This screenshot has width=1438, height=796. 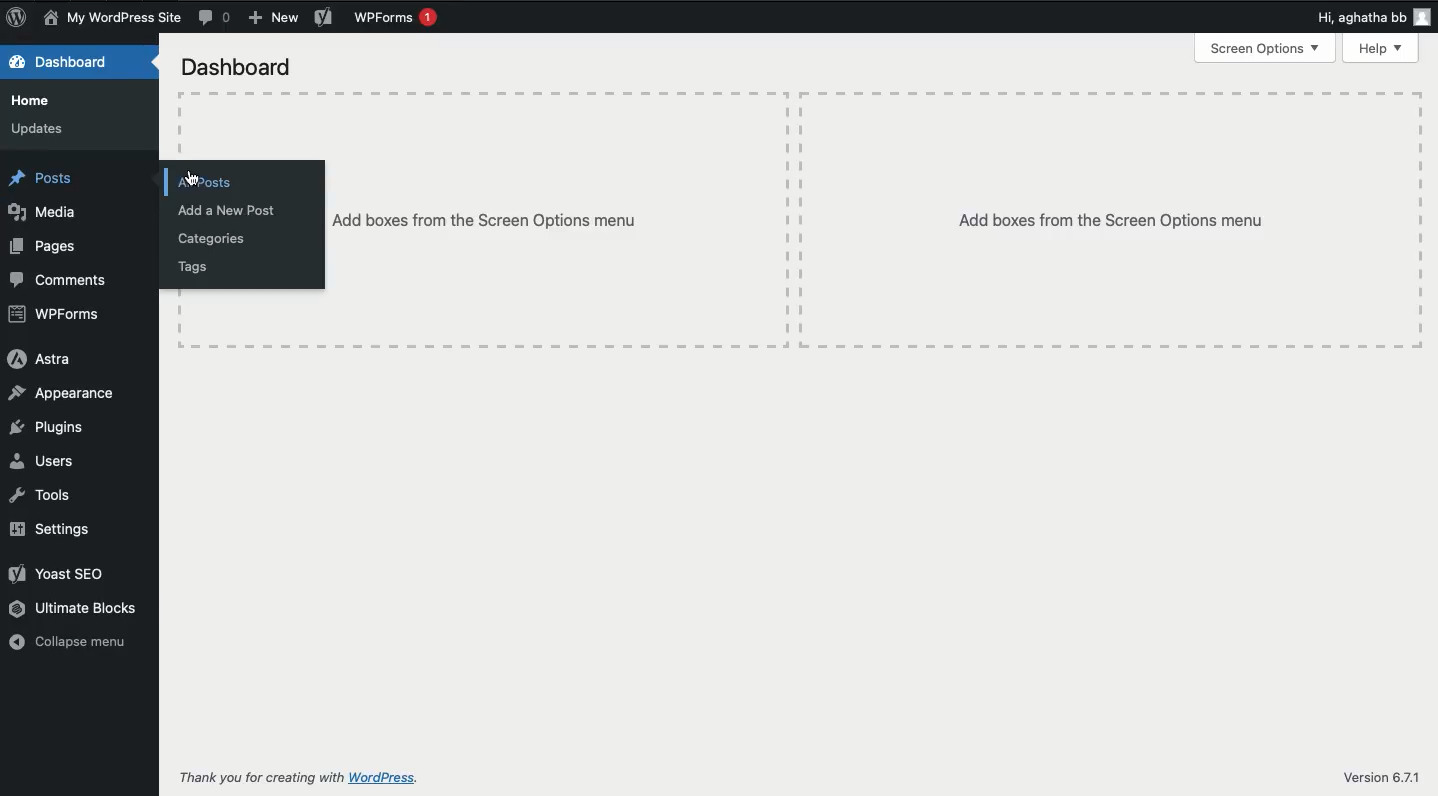 I want to click on All posts, so click(x=210, y=182).